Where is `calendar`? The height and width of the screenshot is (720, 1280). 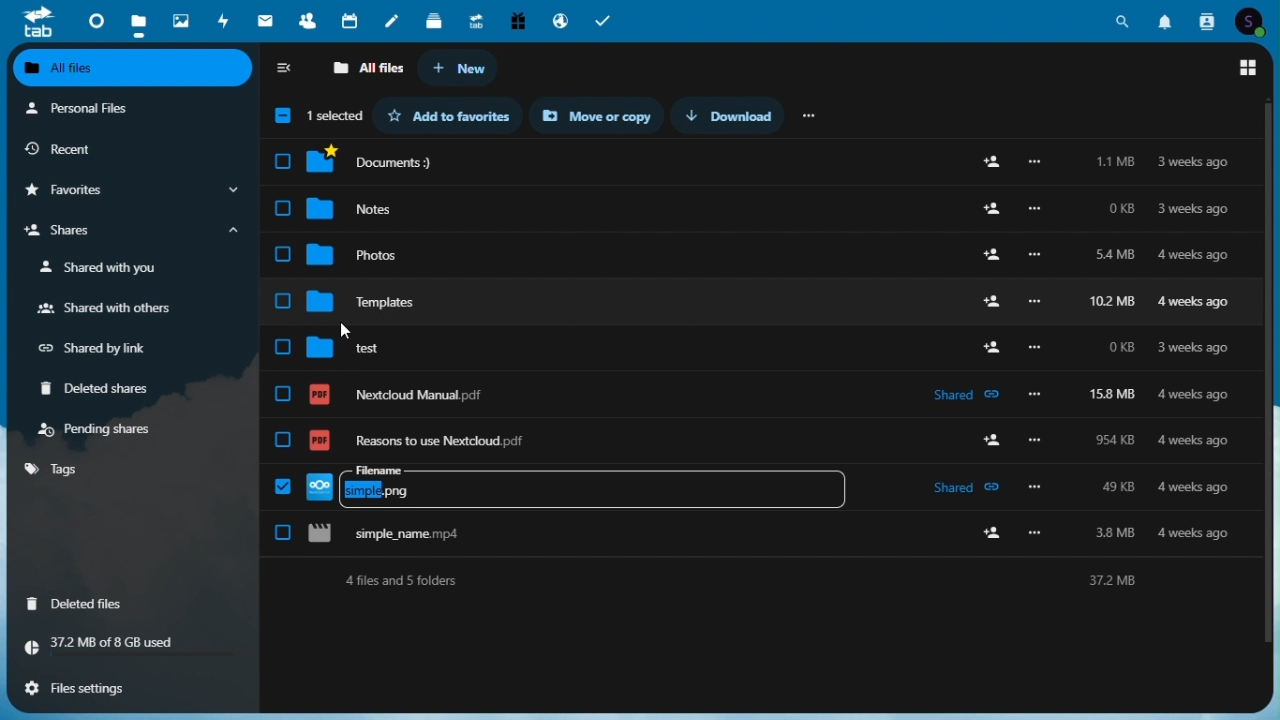
calendar is located at coordinates (352, 19).